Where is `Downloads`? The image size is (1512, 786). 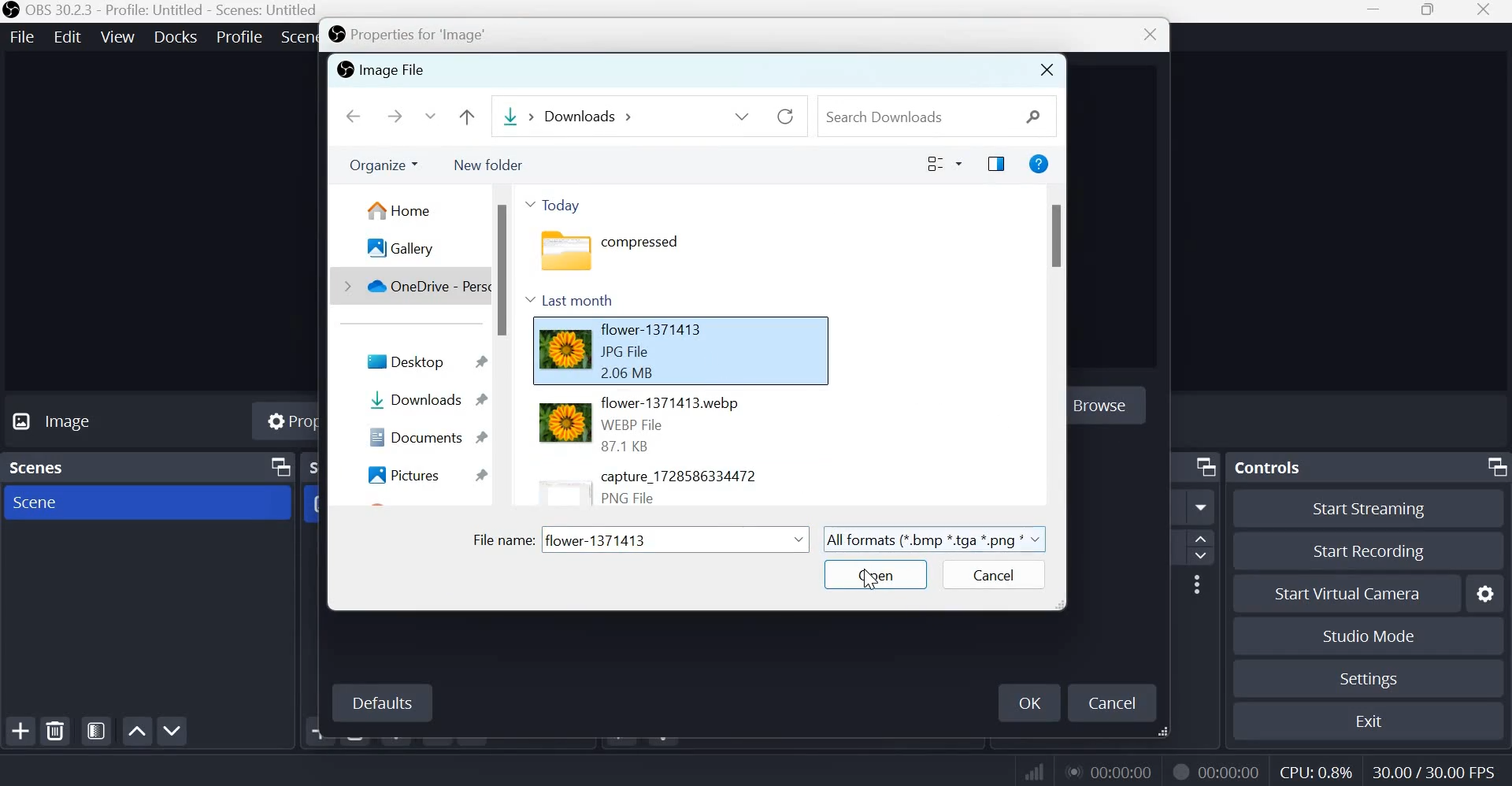
Downloads is located at coordinates (513, 117).